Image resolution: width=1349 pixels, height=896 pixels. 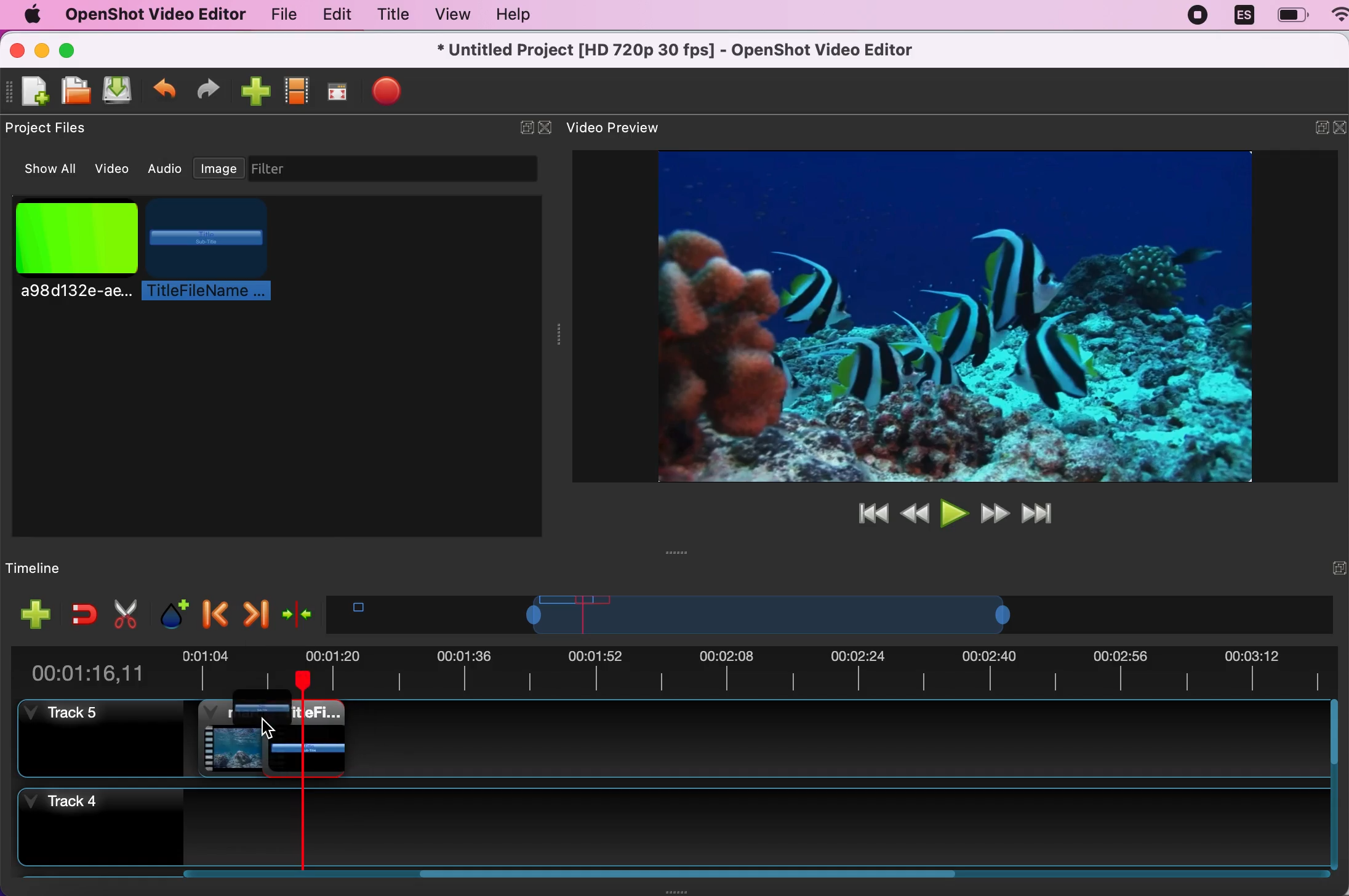 I want to click on maximize, so click(x=82, y=49).